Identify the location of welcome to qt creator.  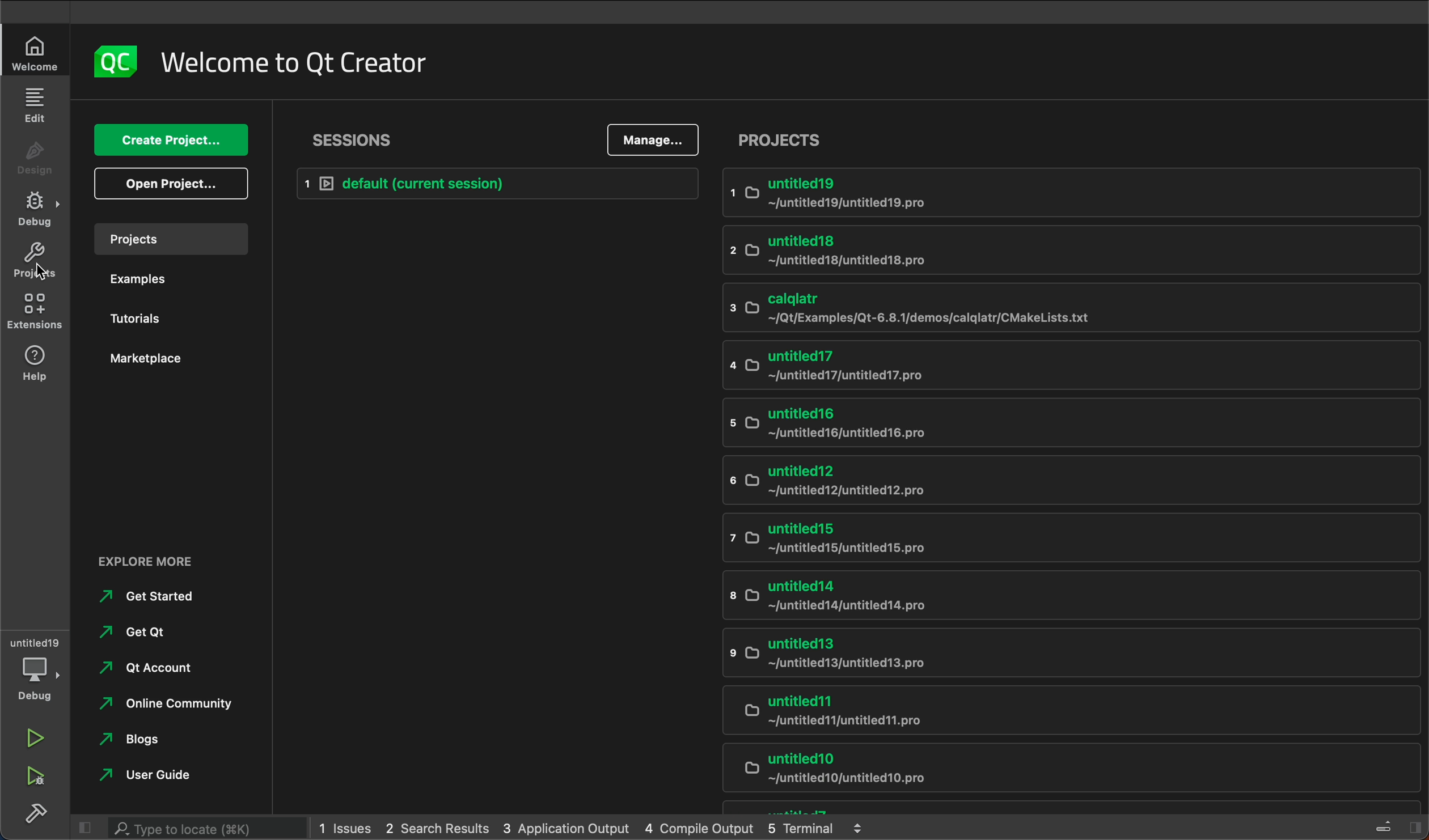
(303, 63).